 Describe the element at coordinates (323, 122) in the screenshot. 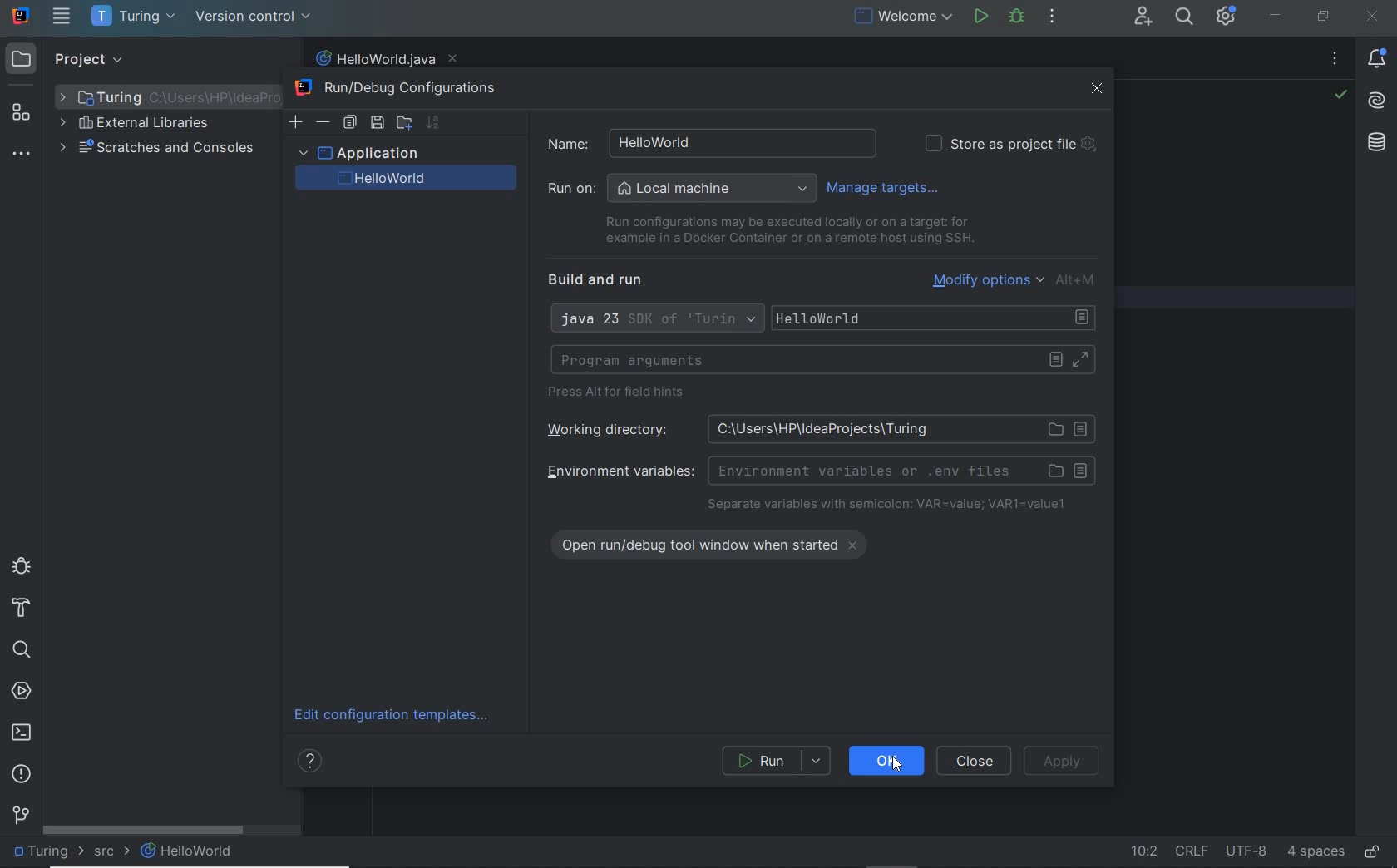

I see `REMOVE CONFIGURATION` at that location.